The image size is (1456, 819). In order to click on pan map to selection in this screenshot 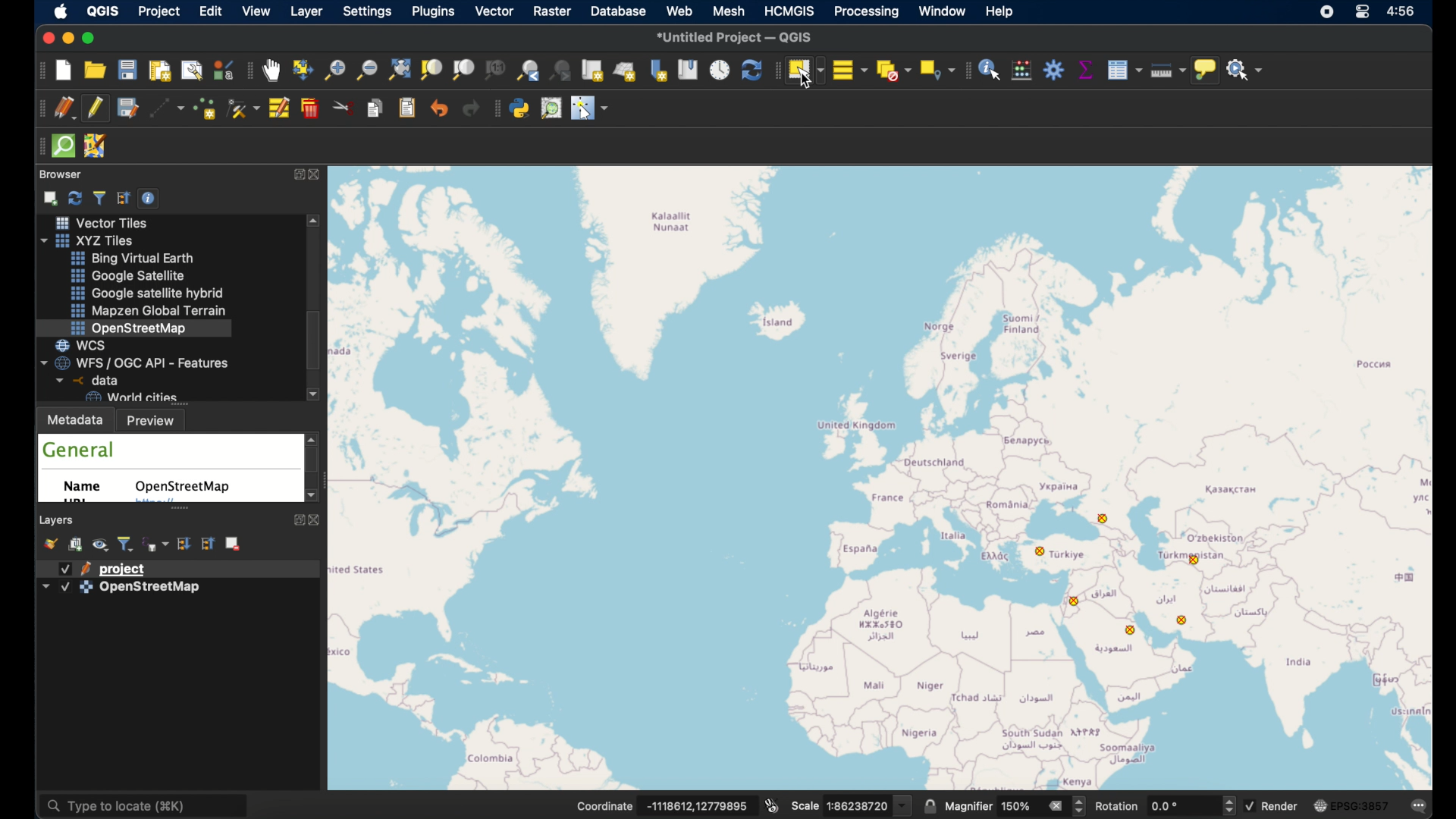, I will do `click(303, 69)`.